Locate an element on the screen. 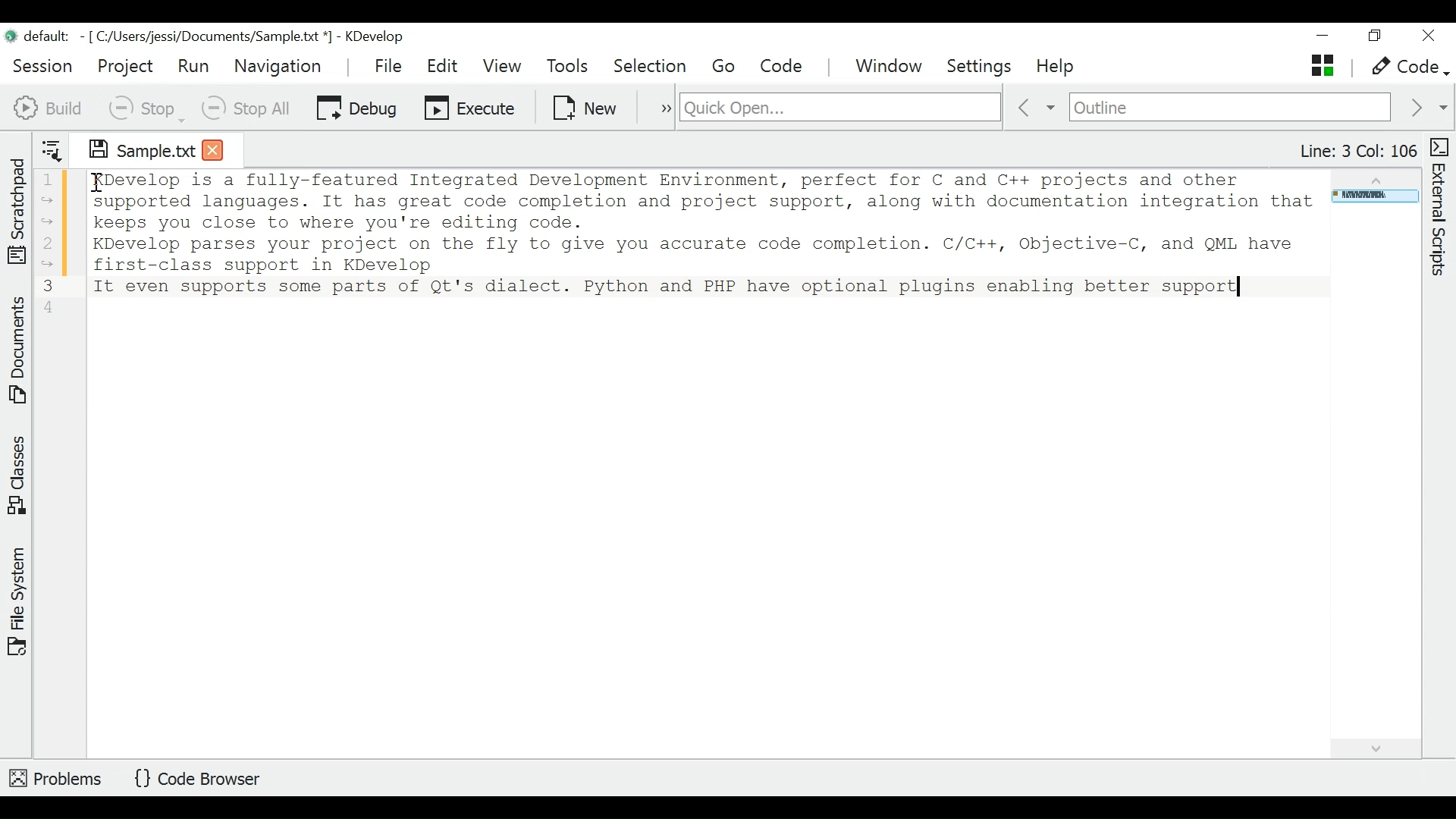 The width and height of the screenshot is (1456, 819). Code is located at coordinates (1407, 67).